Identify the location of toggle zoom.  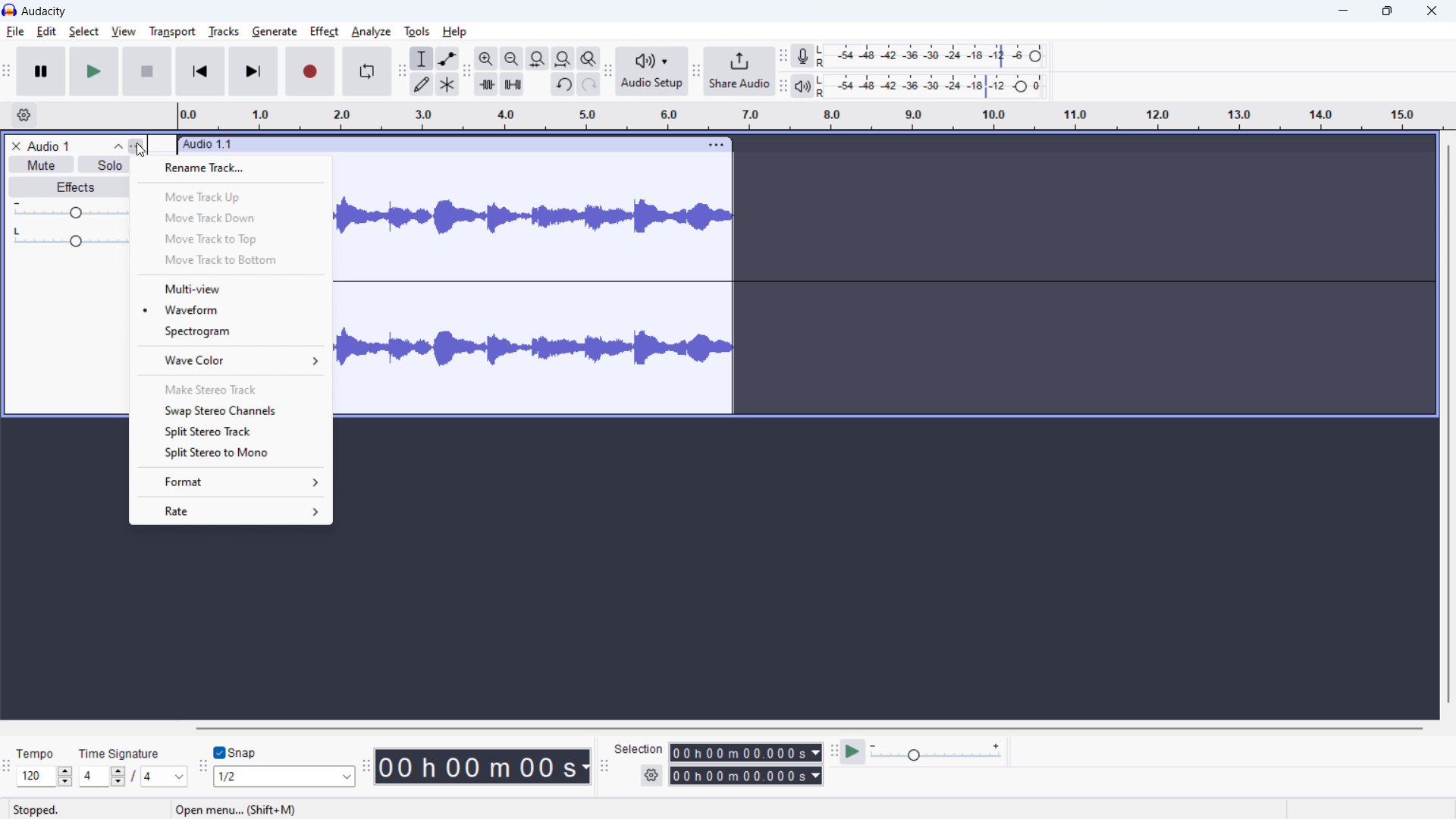
(588, 58).